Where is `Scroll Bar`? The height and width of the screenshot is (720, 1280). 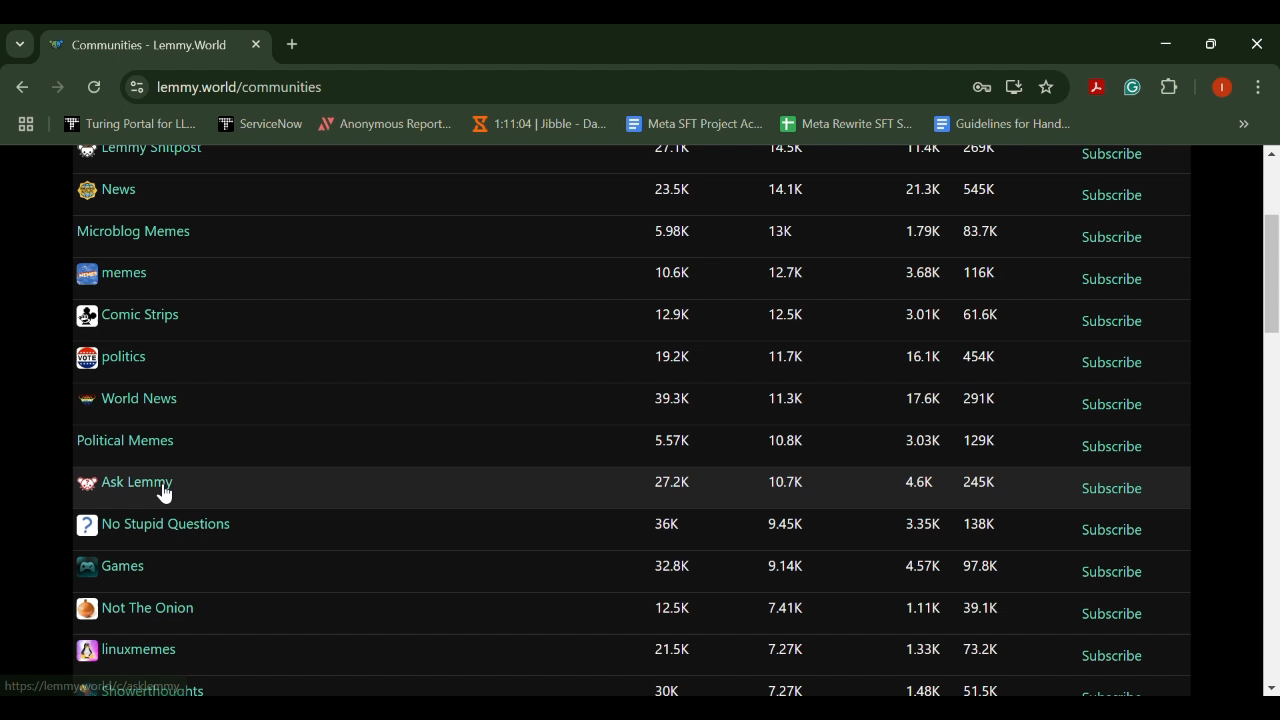 Scroll Bar is located at coordinates (1272, 419).